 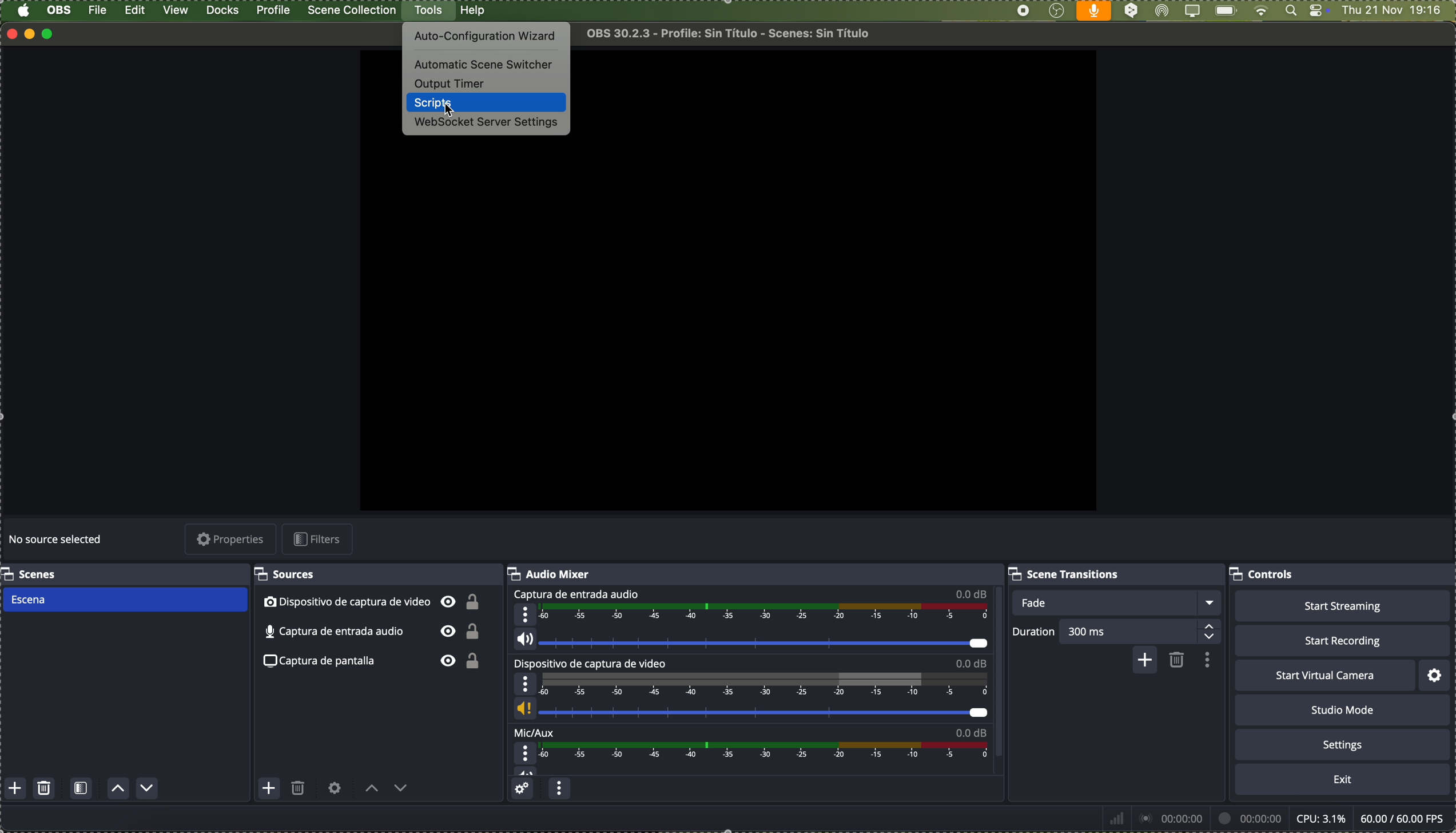 What do you see at coordinates (135, 11) in the screenshot?
I see `edit` at bounding box center [135, 11].